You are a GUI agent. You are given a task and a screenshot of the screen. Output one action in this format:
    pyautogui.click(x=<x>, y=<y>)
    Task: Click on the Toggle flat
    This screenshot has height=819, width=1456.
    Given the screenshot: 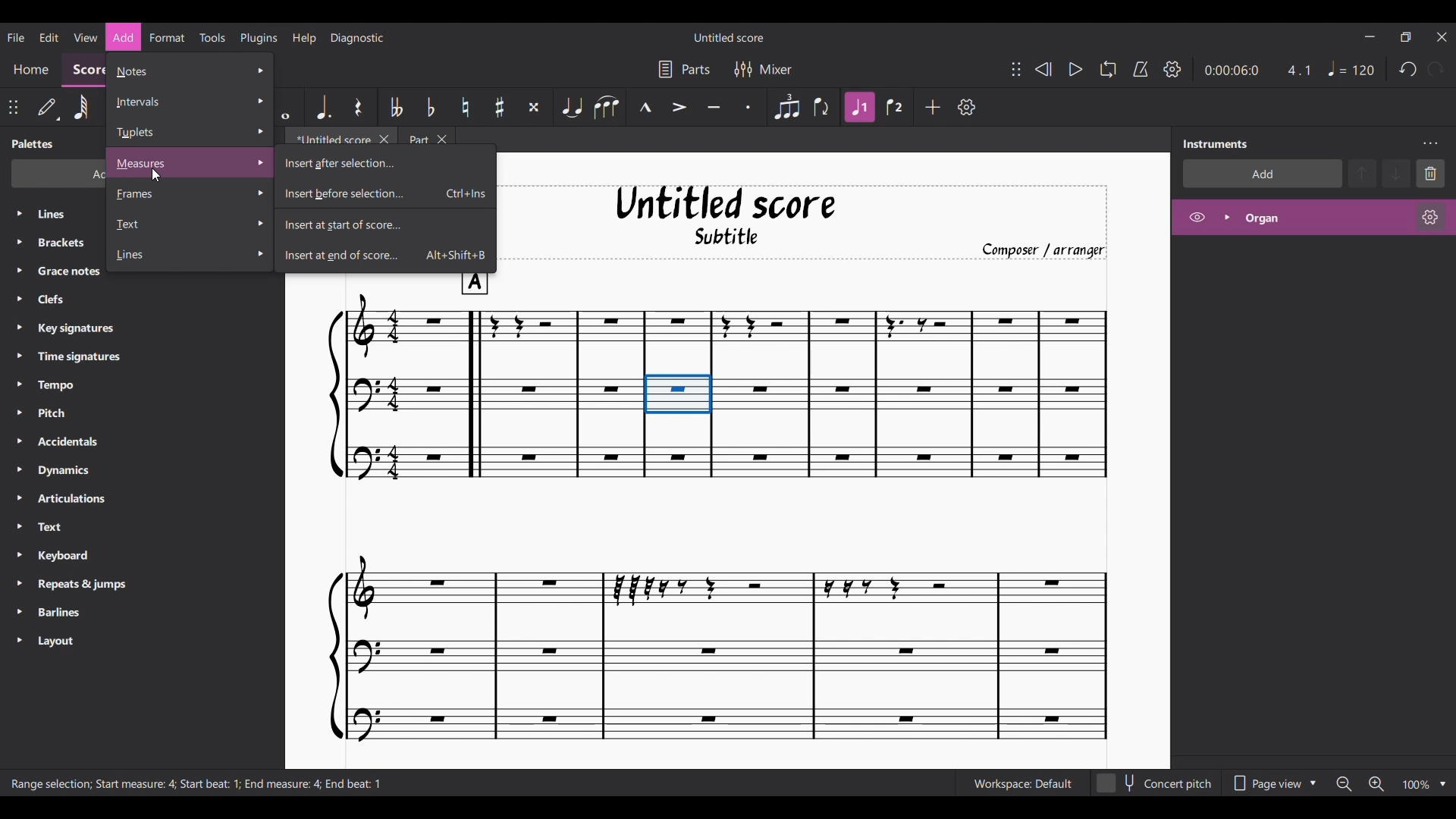 What is the action you would take?
    pyautogui.click(x=430, y=106)
    